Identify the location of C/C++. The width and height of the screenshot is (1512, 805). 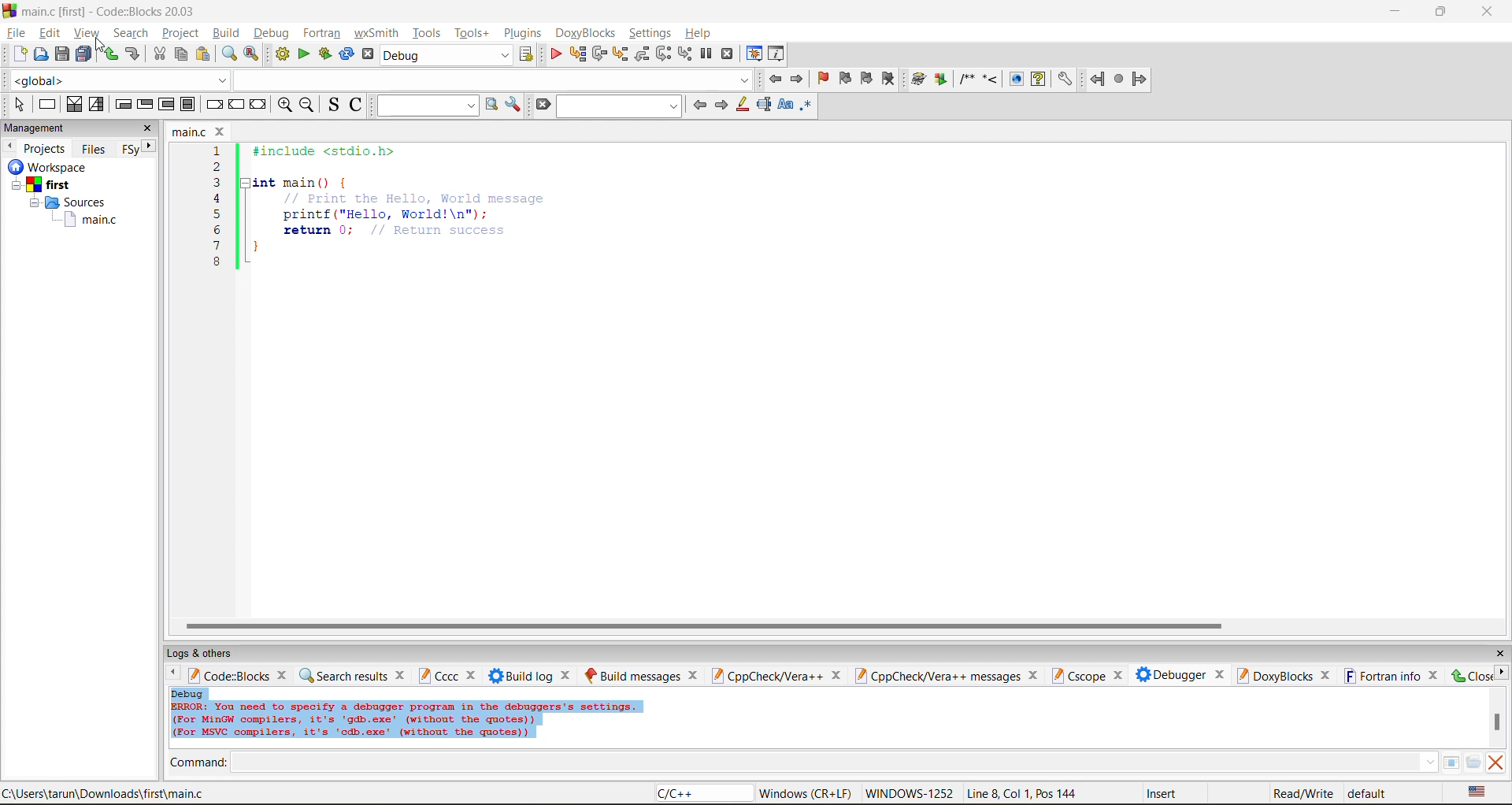
(684, 794).